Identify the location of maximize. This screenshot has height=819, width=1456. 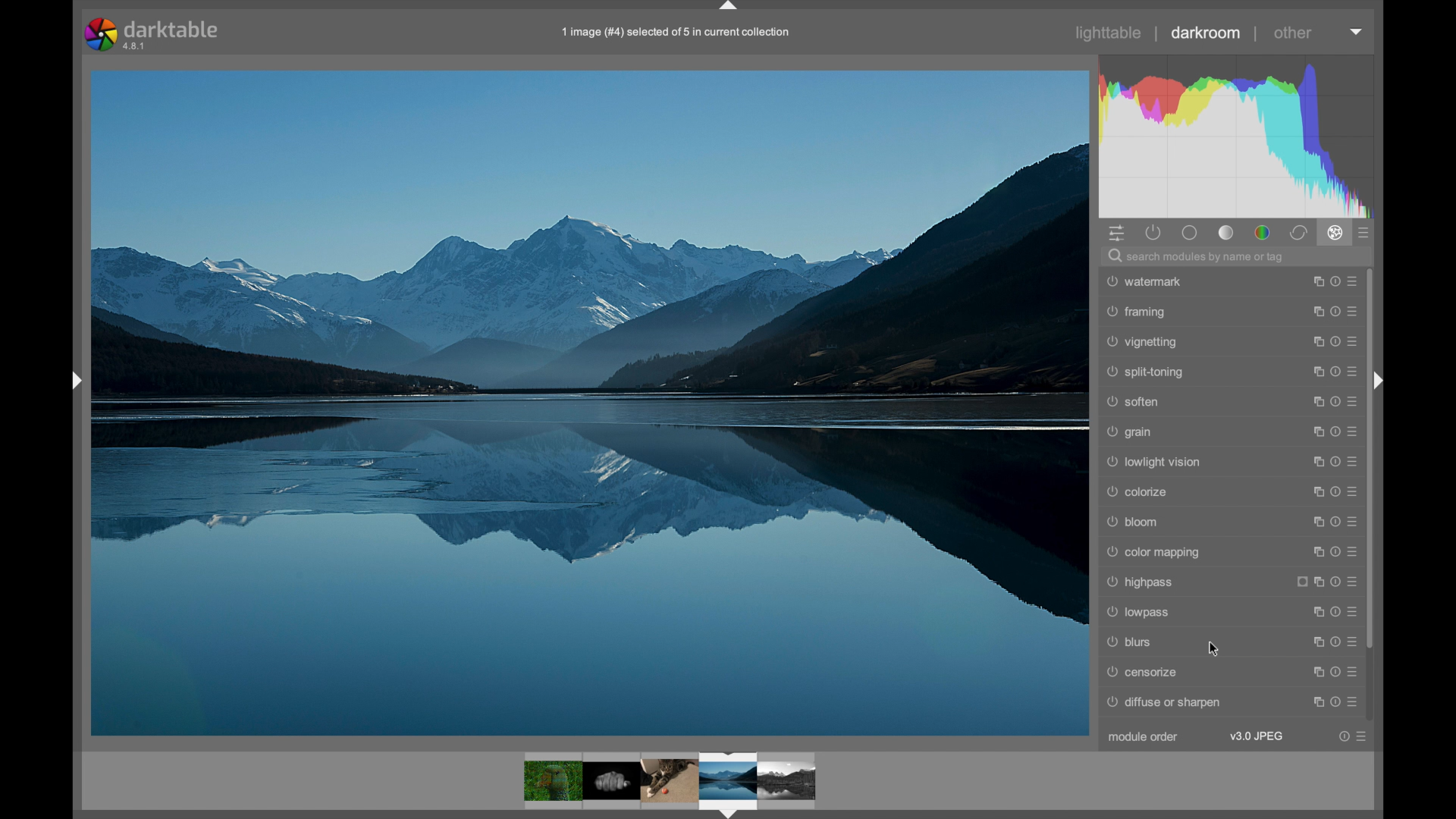
(1313, 643).